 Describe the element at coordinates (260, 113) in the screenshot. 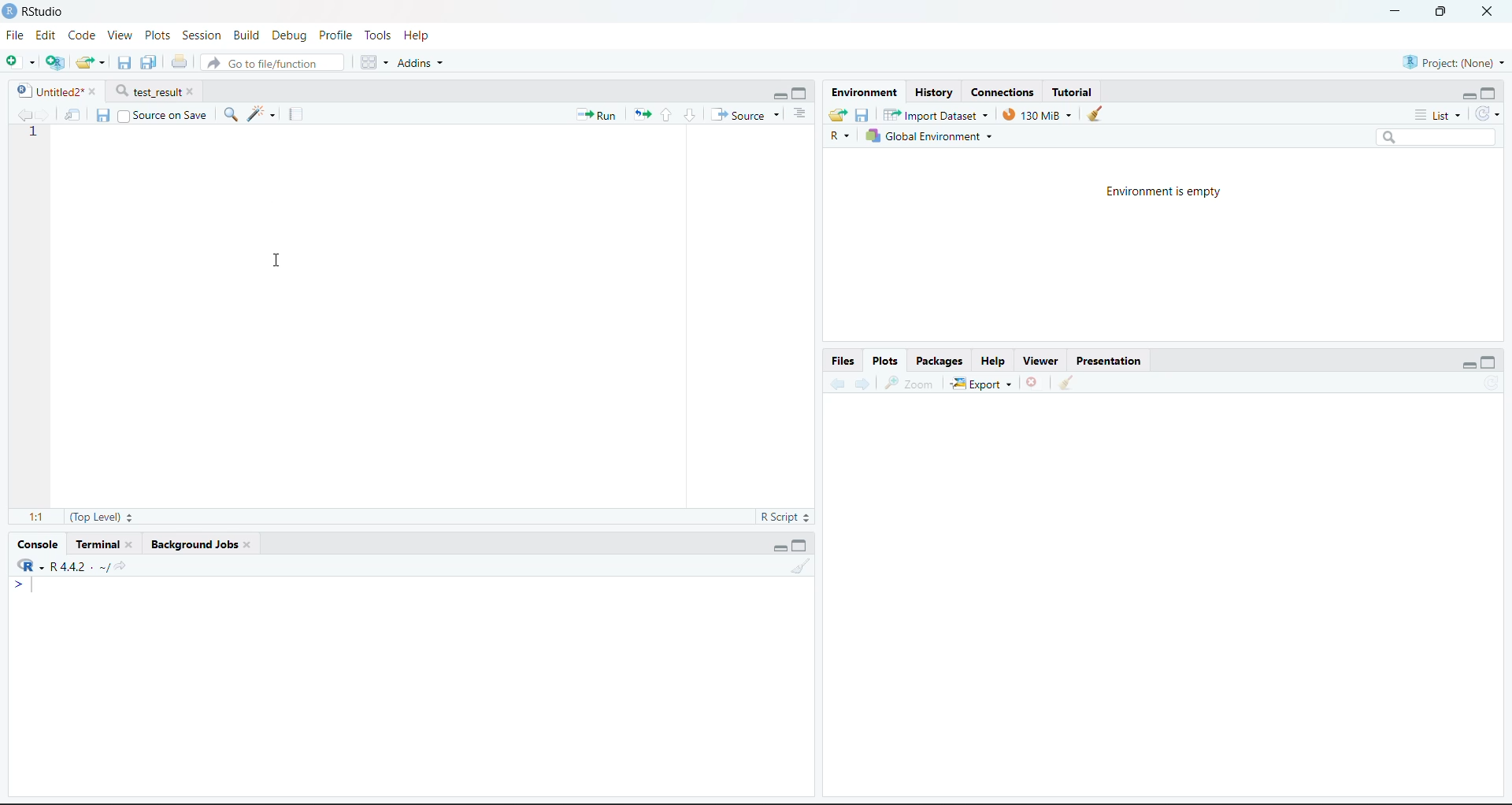

I see `Code Tools` at that location.